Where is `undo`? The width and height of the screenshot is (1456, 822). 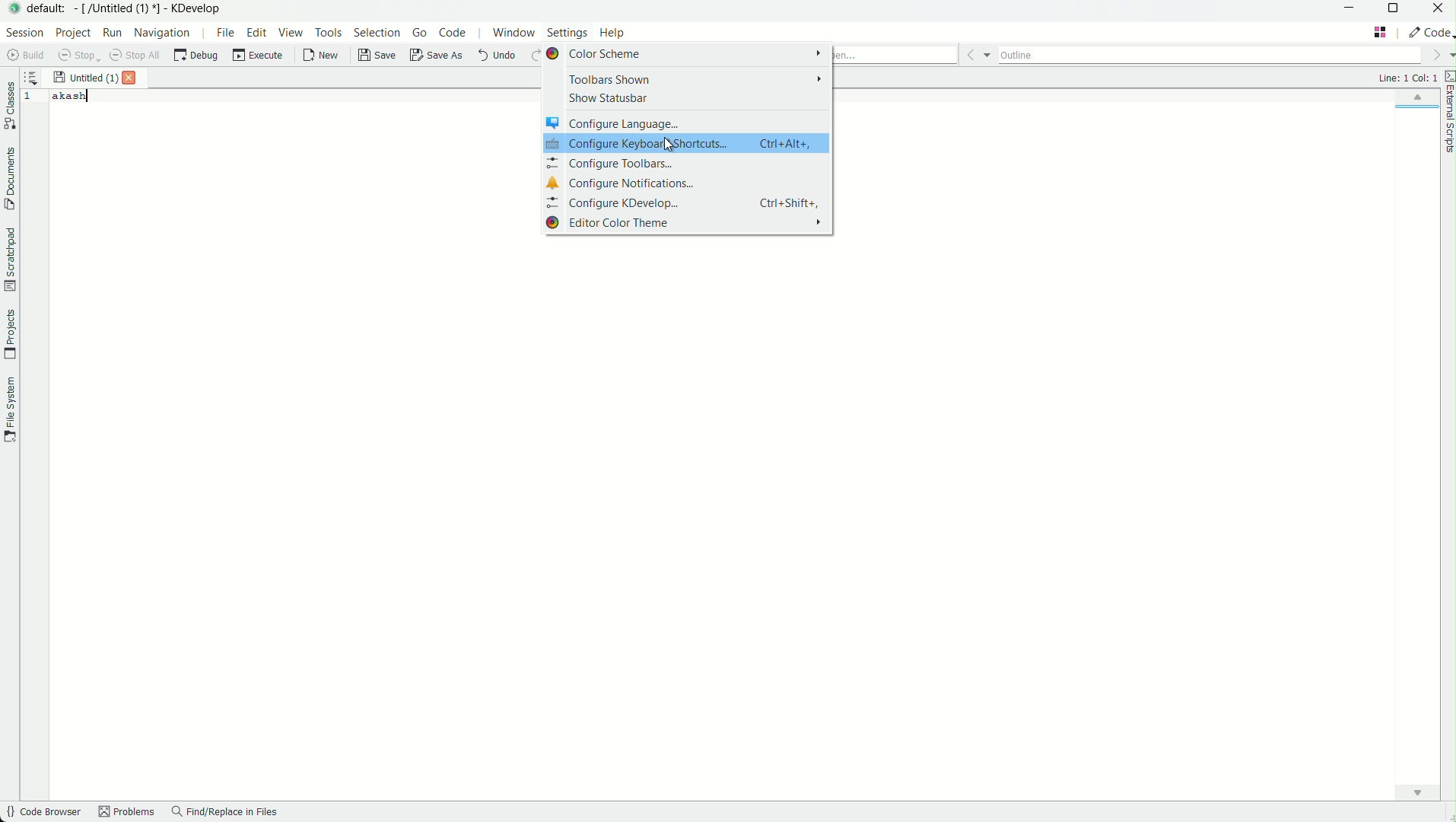 undo is located at coordinates (495, 56).